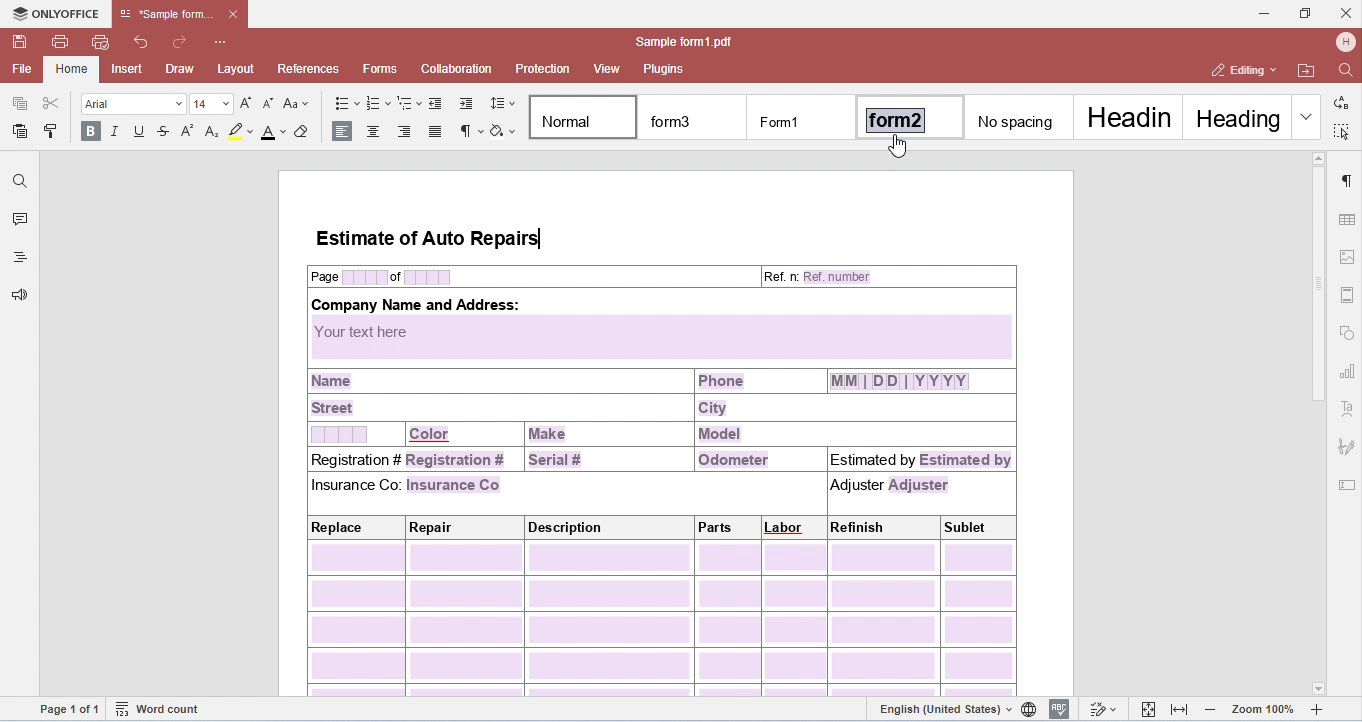  What do you see at coordinates (51, 103) in the screenshot?
I see `cut` at bounding box center [51, 103].